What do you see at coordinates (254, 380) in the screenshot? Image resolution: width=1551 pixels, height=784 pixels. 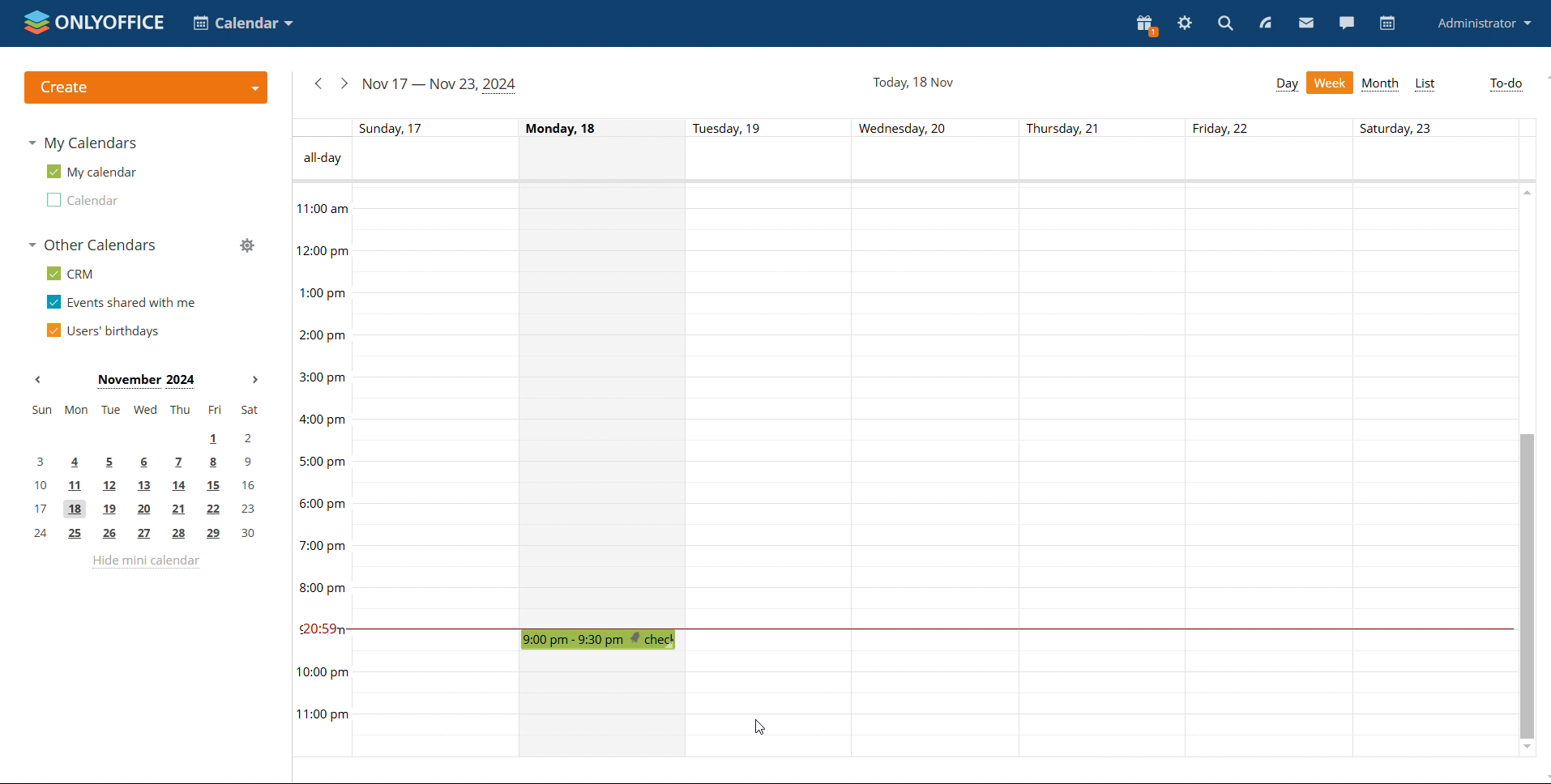 I see `next month` at bounding box center [254, 380].